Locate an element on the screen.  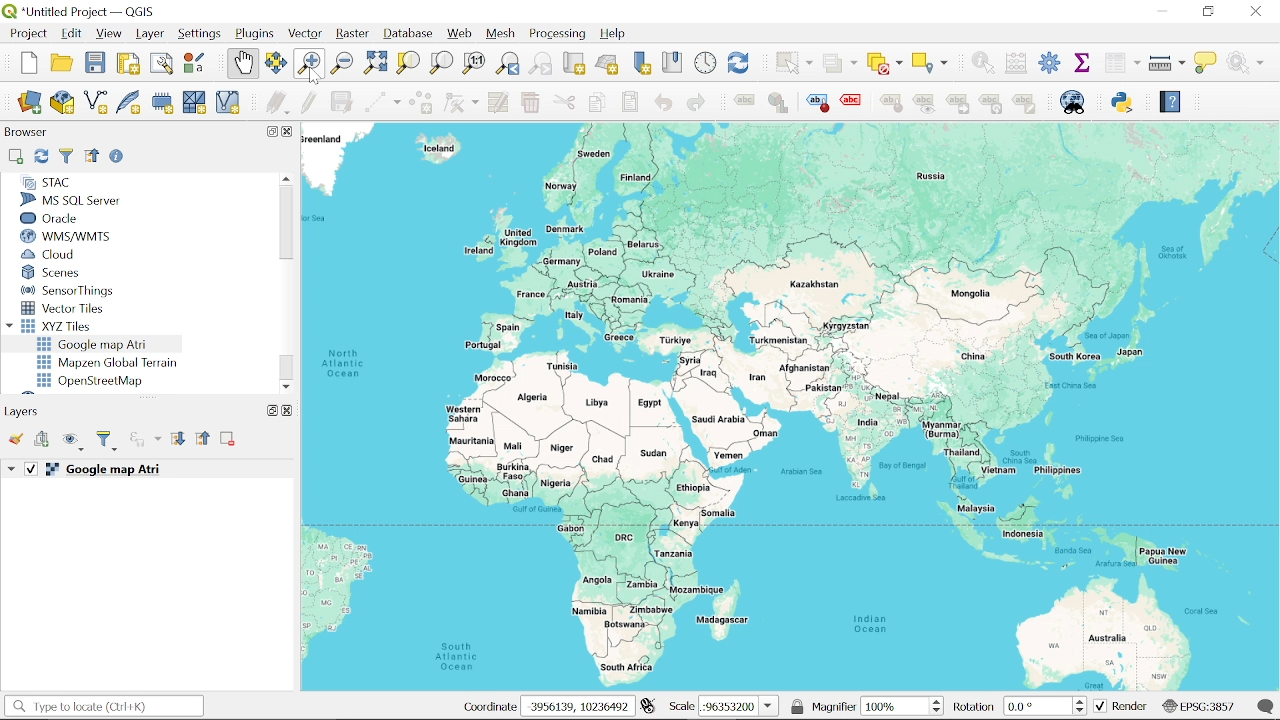
Modify the attributes if all selected features simultaneously is located at coordinates (499, 103).